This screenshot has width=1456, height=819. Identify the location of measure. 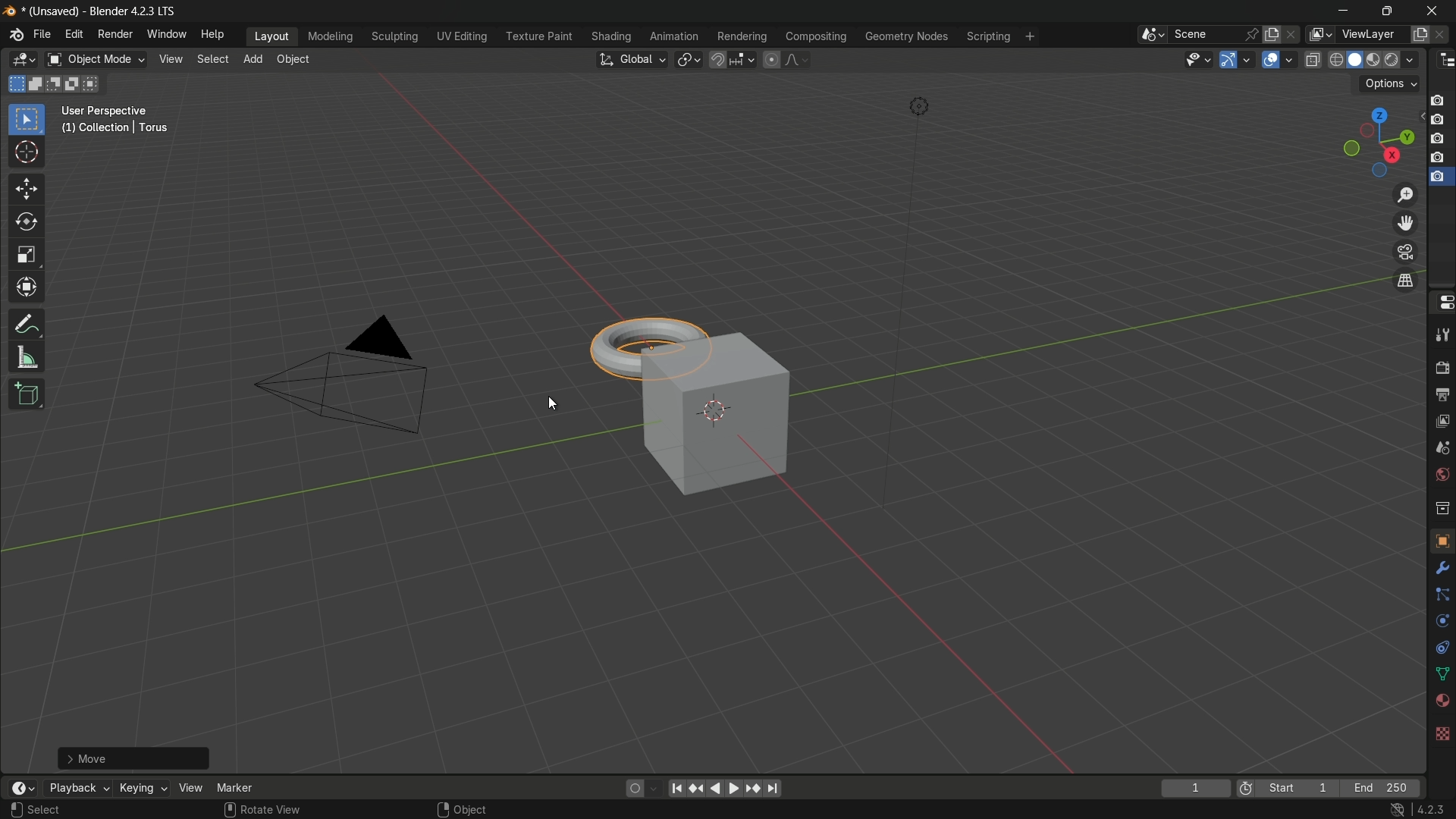
(27, 358).